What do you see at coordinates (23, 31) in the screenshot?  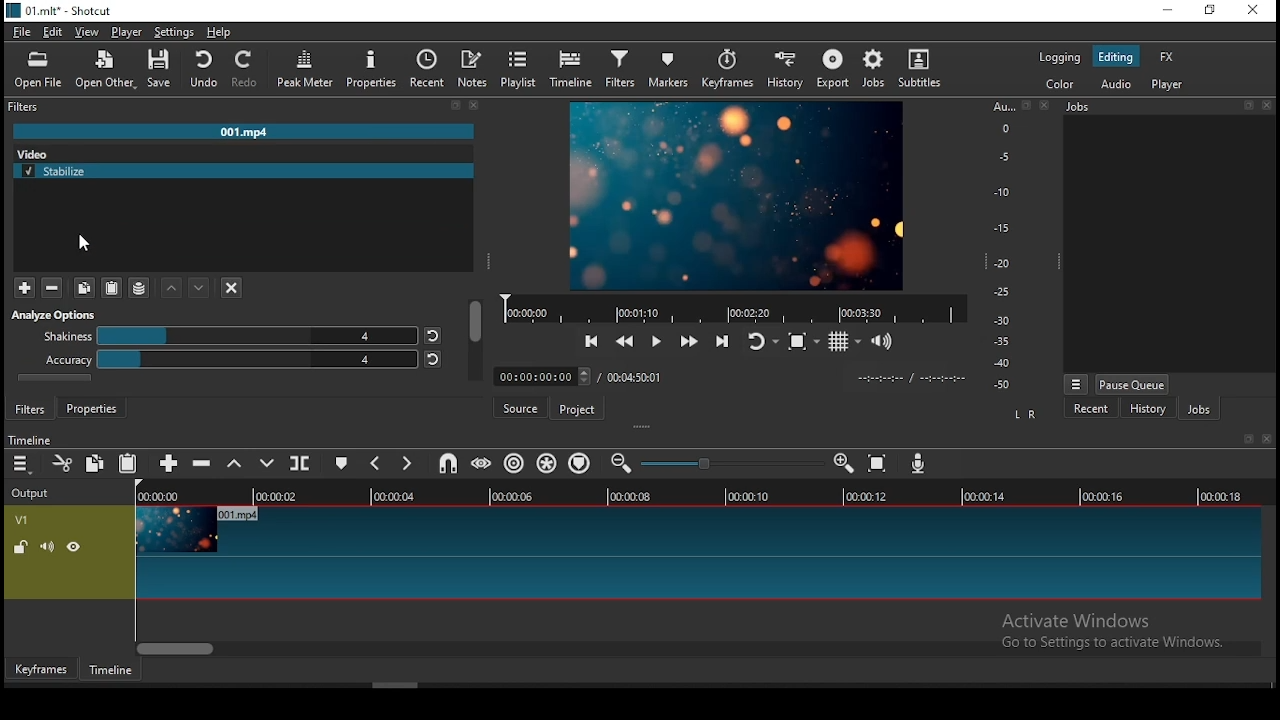 I see `file` at bounding box center [23, 31].